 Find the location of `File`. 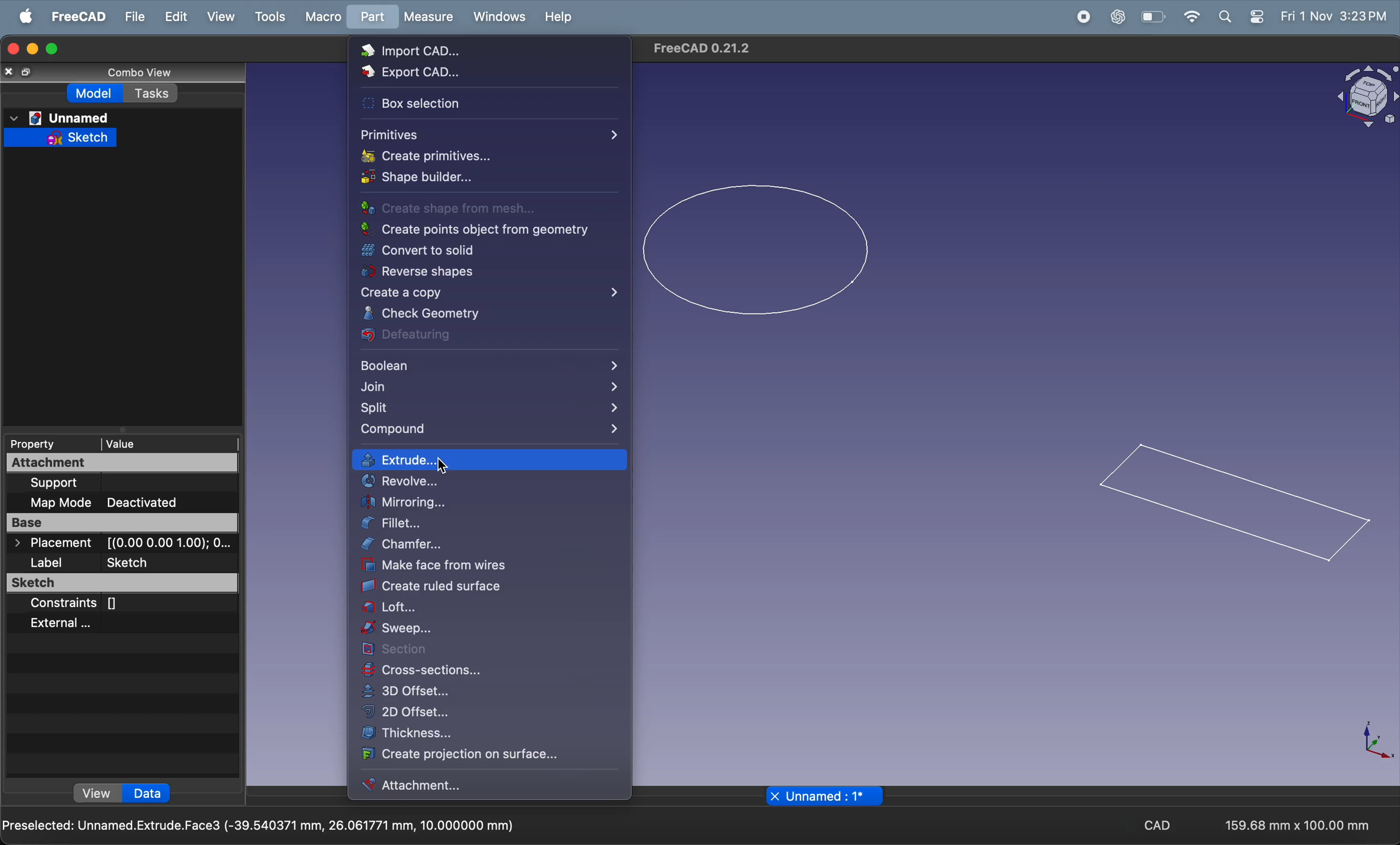

File is located at coordinates (134, 16).